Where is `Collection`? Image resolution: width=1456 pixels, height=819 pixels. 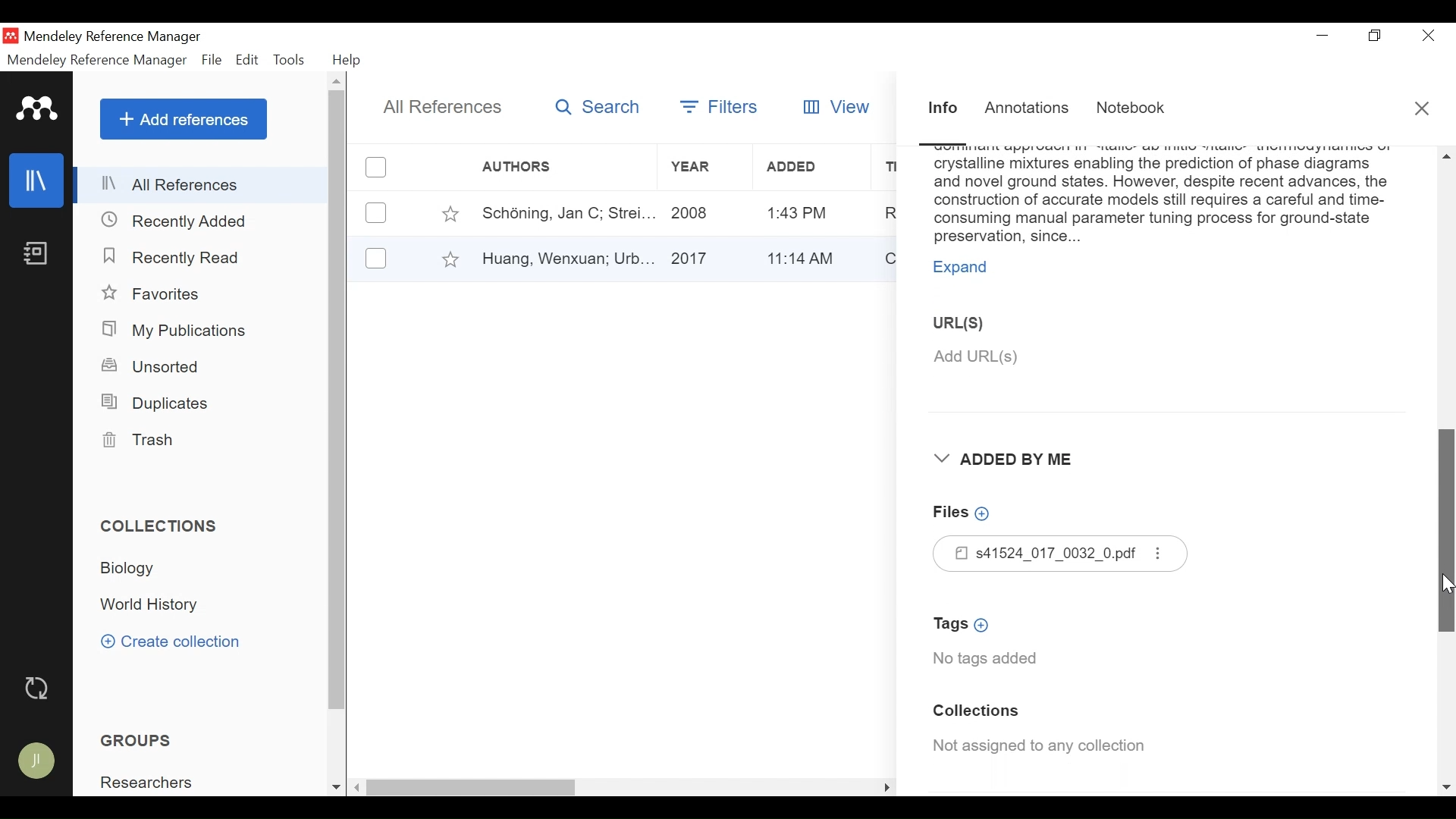
Collection is located at coordinates (979, 711).